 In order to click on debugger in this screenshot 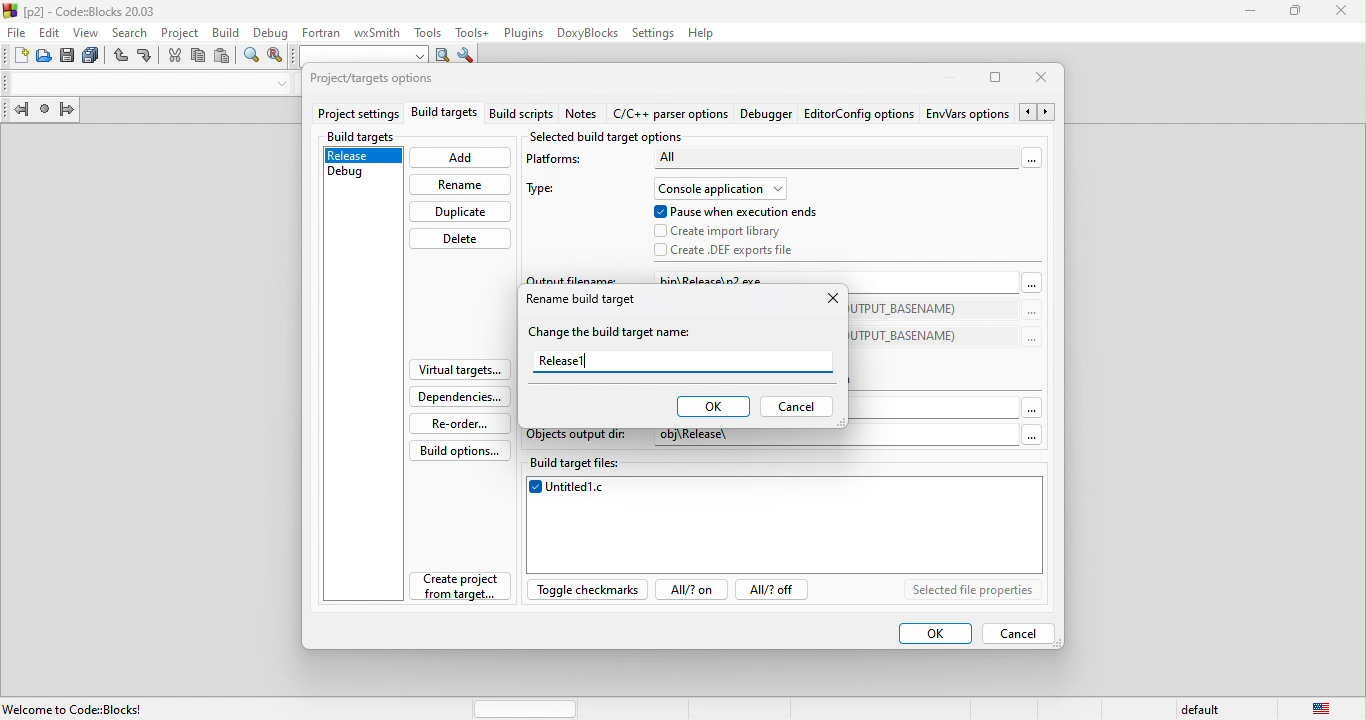, I will do `click(769, 115)`.